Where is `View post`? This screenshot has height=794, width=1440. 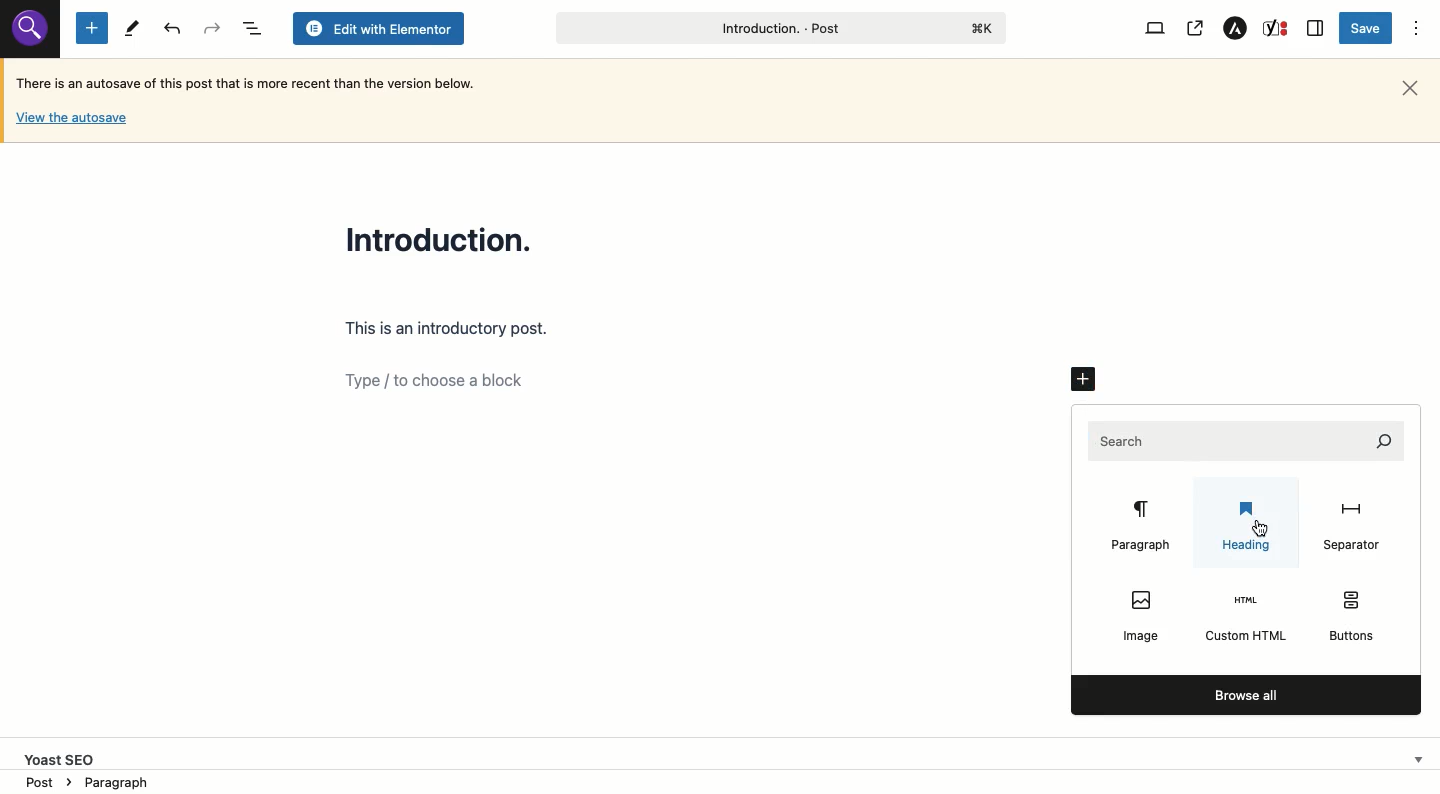
View post is located at coordinates (1194, 29).